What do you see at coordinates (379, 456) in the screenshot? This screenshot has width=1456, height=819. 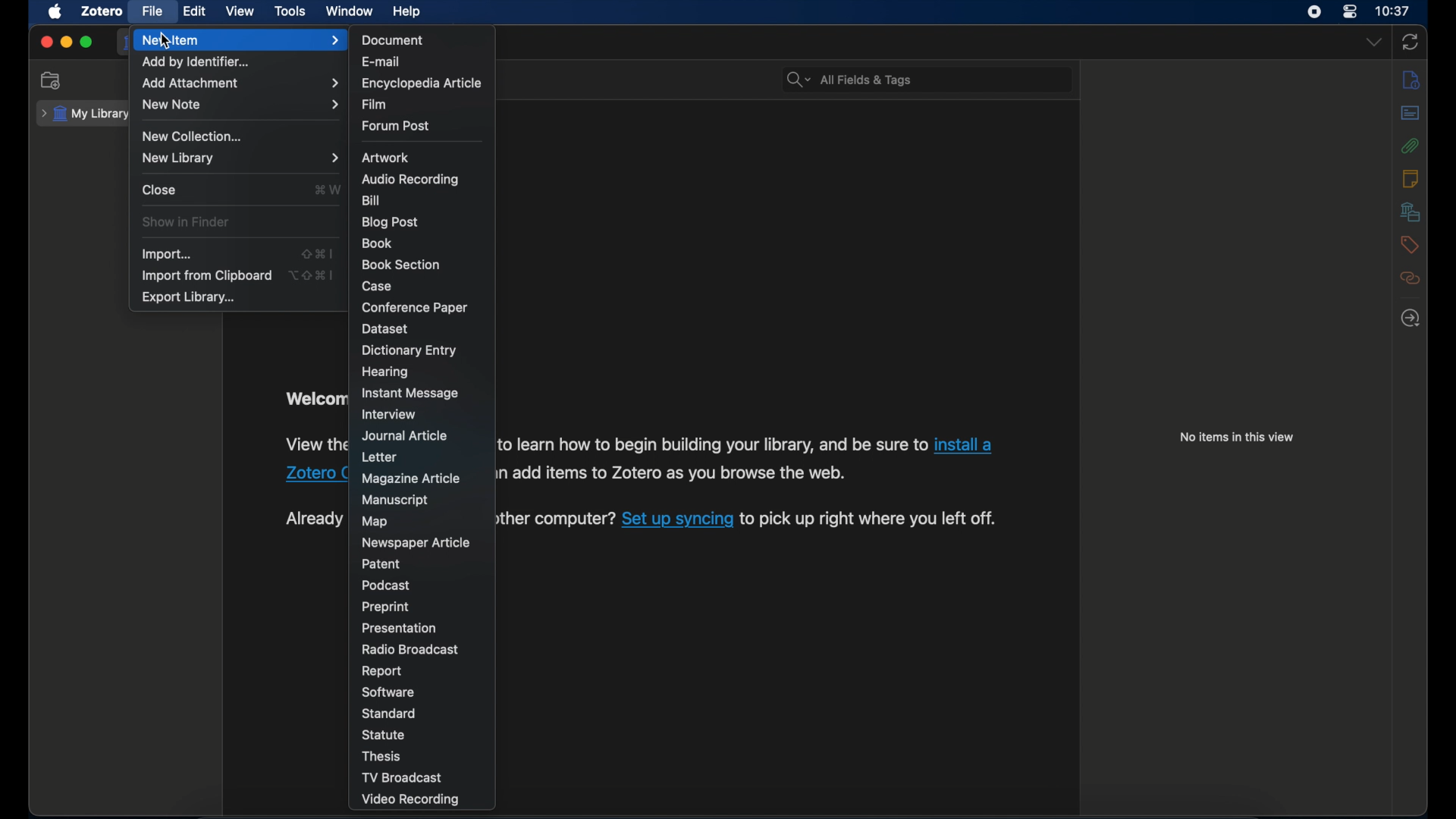 I see `letter` at bounding box center [379, 456].